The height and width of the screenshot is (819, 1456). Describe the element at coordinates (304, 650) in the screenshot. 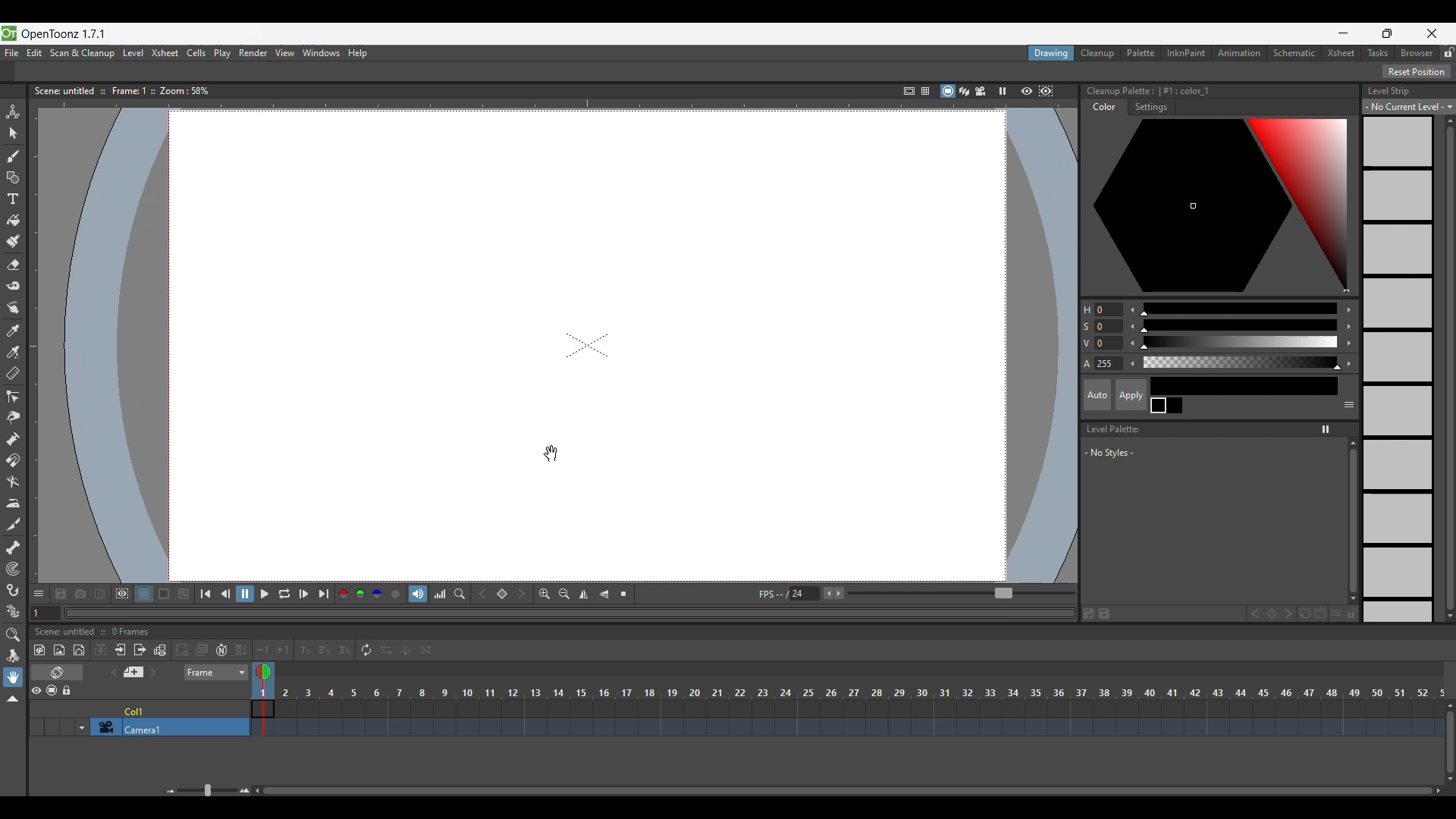

I see `Reframe on 1's` at that location.